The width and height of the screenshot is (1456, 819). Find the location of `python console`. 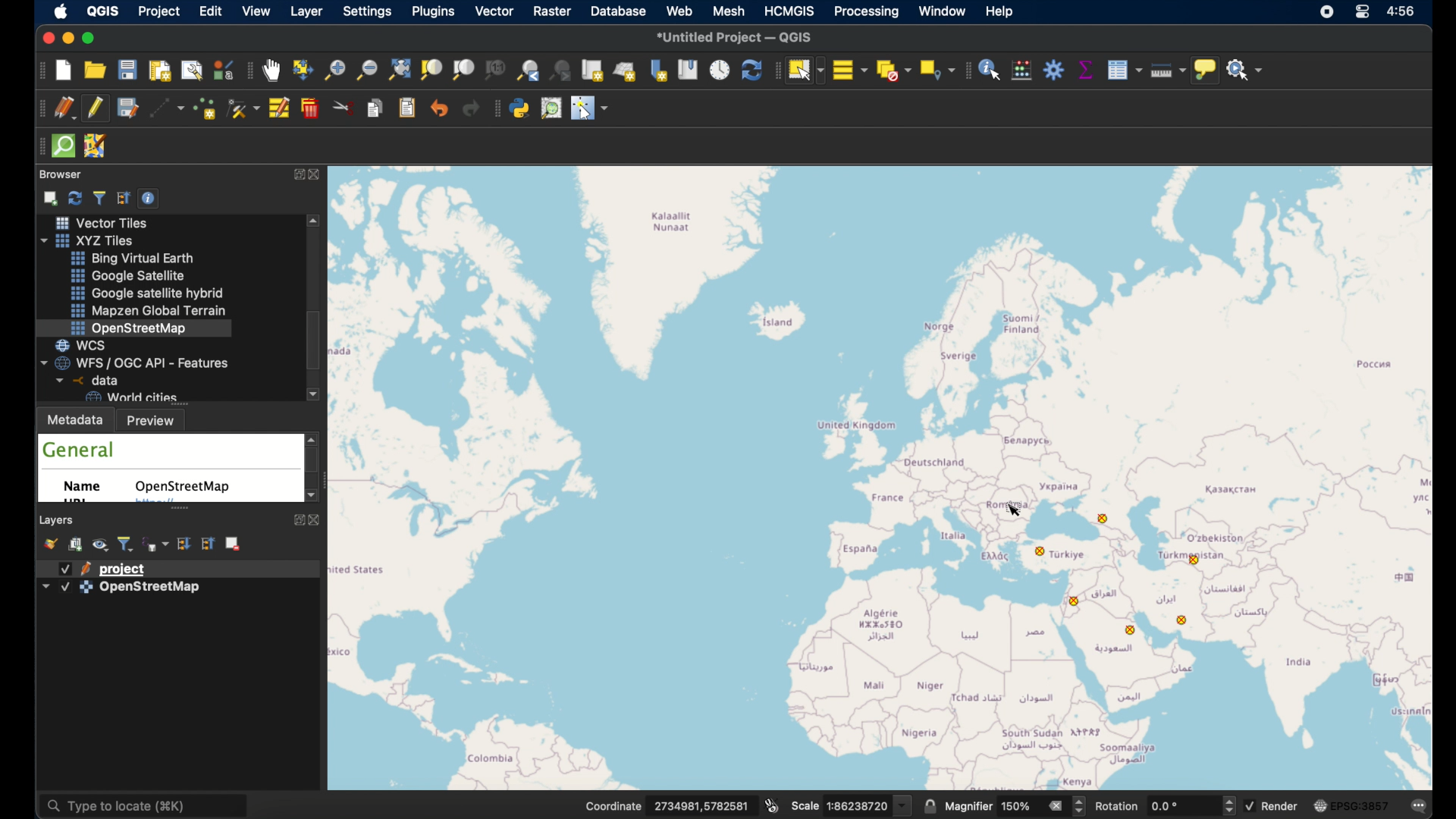

python console is located at coordinates (521, 108).